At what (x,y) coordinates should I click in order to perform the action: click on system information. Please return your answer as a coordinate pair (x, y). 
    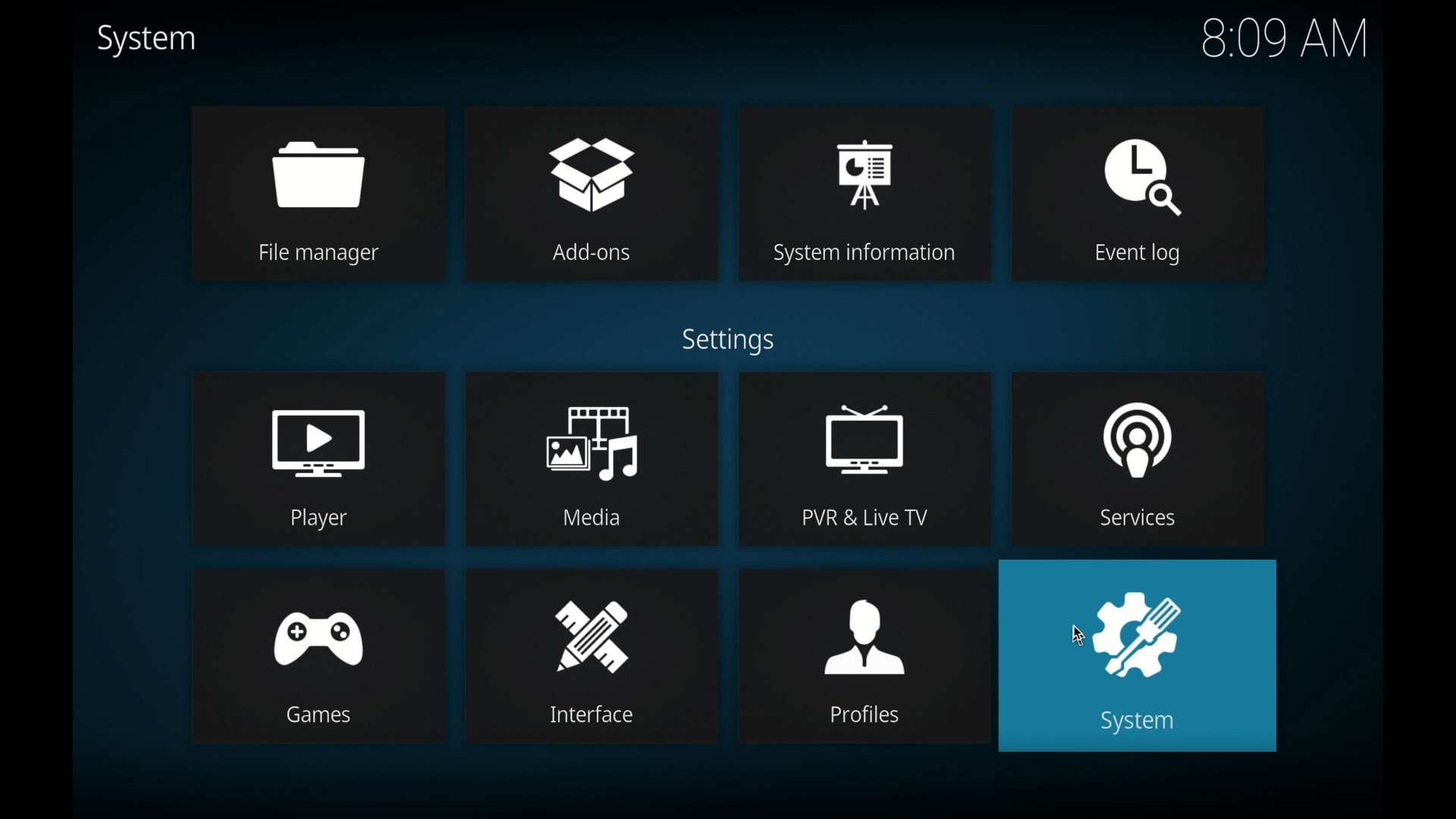
    Looking at the image, I should click on (865, 191).